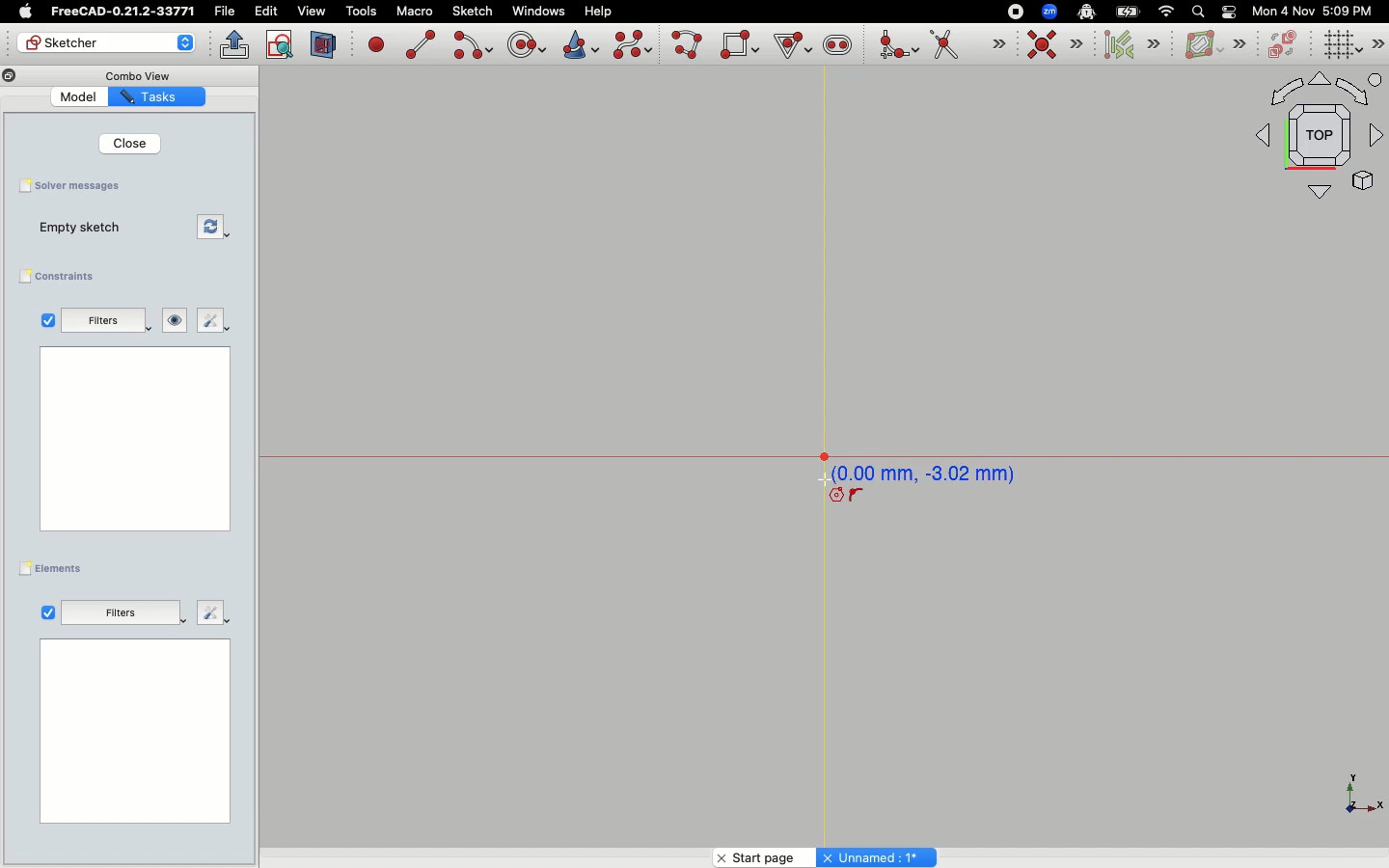 The width and height of the screenshot is (1389, 868). I want to click on Constraint coincident, so click(1055, 45).